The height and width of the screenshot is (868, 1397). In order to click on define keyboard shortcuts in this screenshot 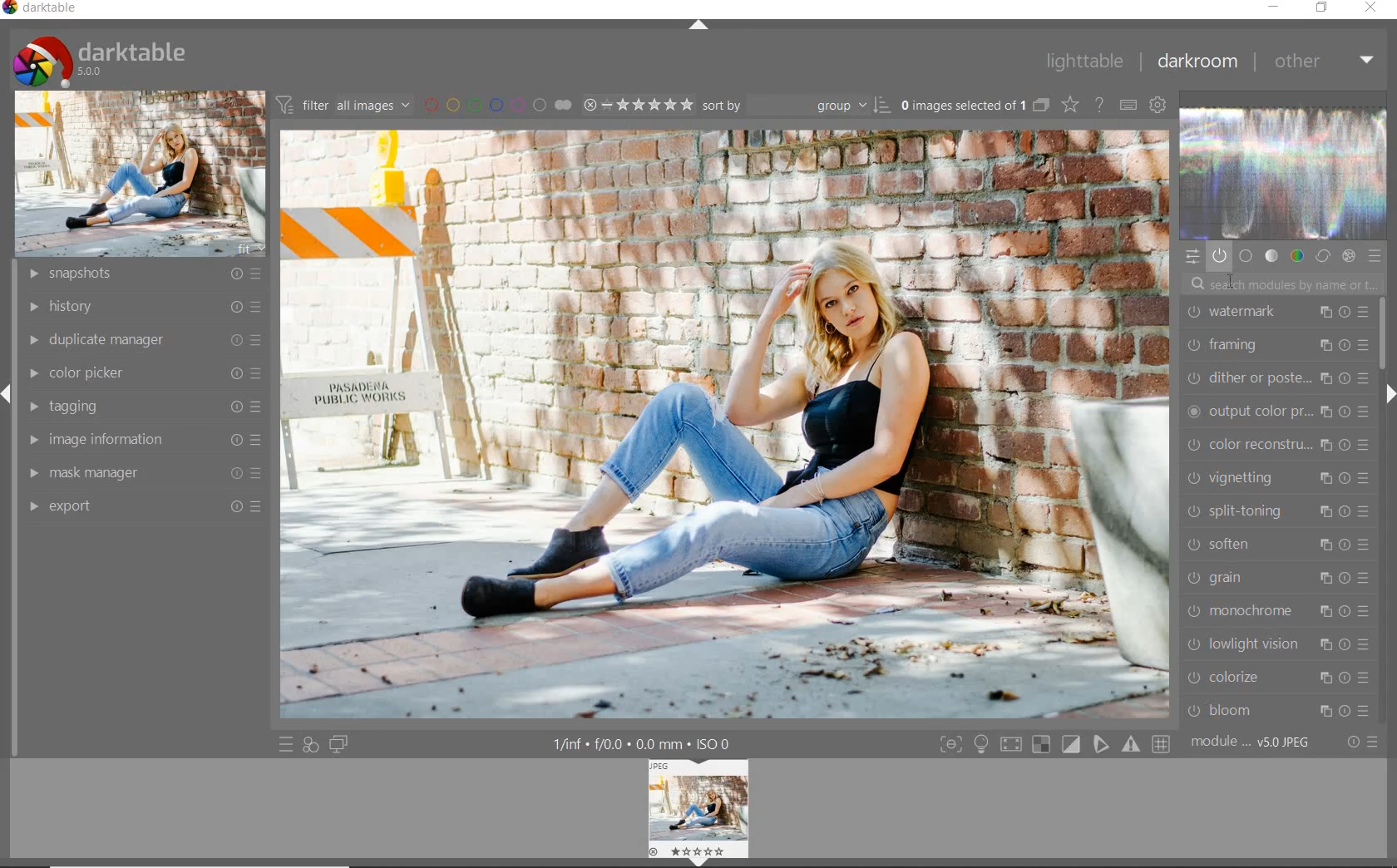, I will do `click(1127, 104)`.